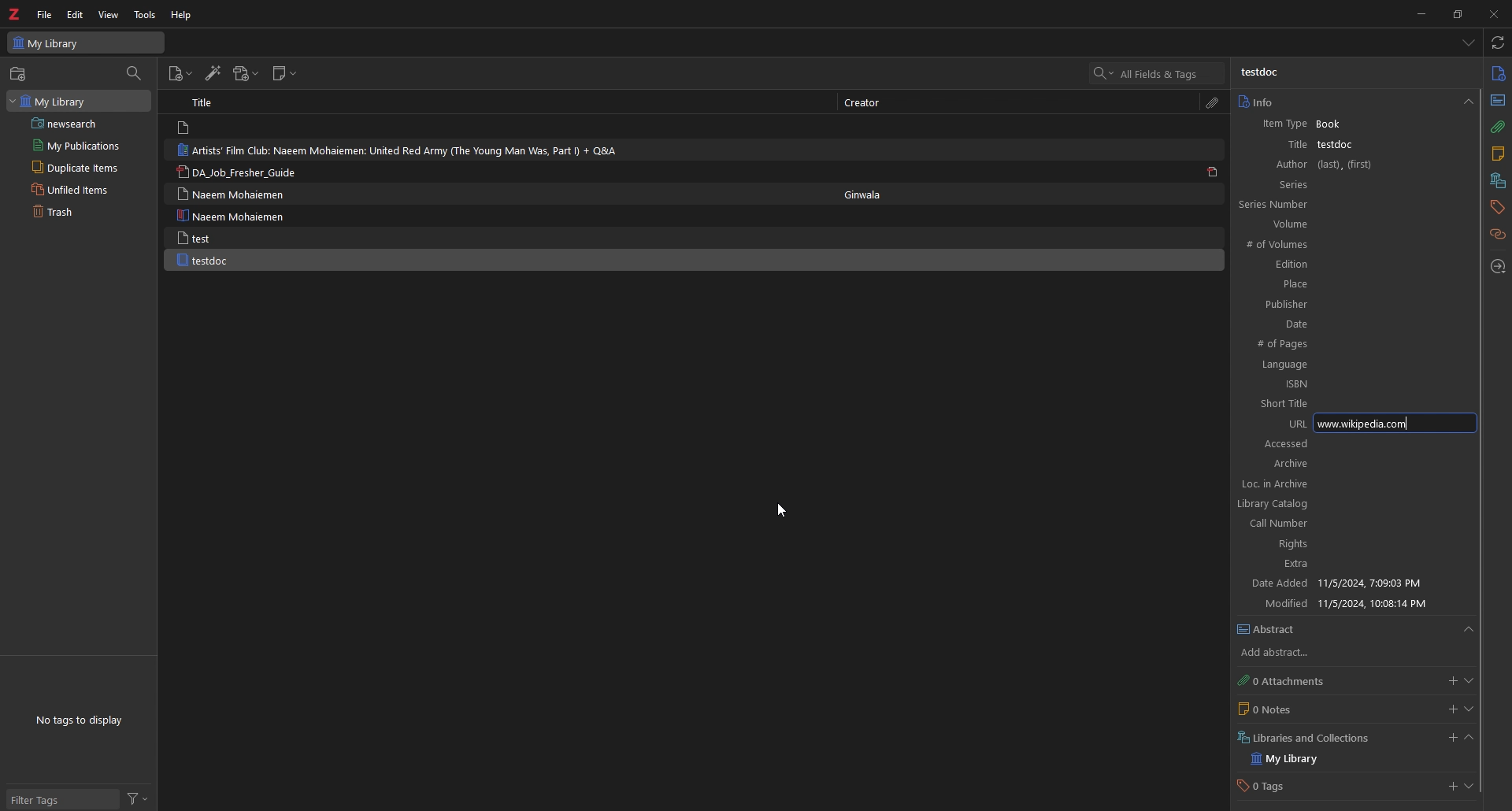 Image resolution: width=1512 pixels, height=811 pixels. Describe the element at coordinates (61, 800) in the screenshot. I see `filter tags` at that location.